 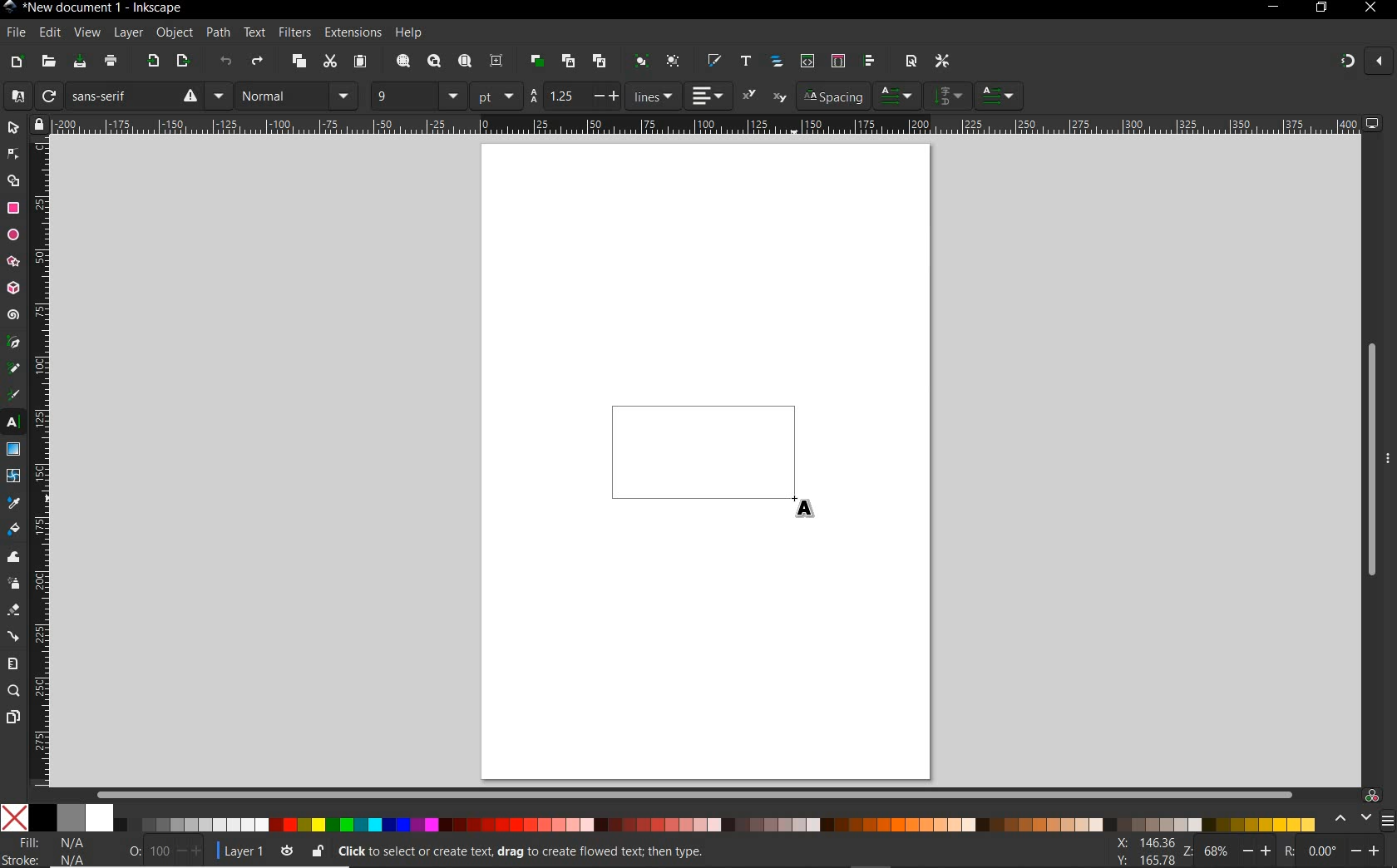 I want to click on lock or unlock, so click(x=317, y=851).